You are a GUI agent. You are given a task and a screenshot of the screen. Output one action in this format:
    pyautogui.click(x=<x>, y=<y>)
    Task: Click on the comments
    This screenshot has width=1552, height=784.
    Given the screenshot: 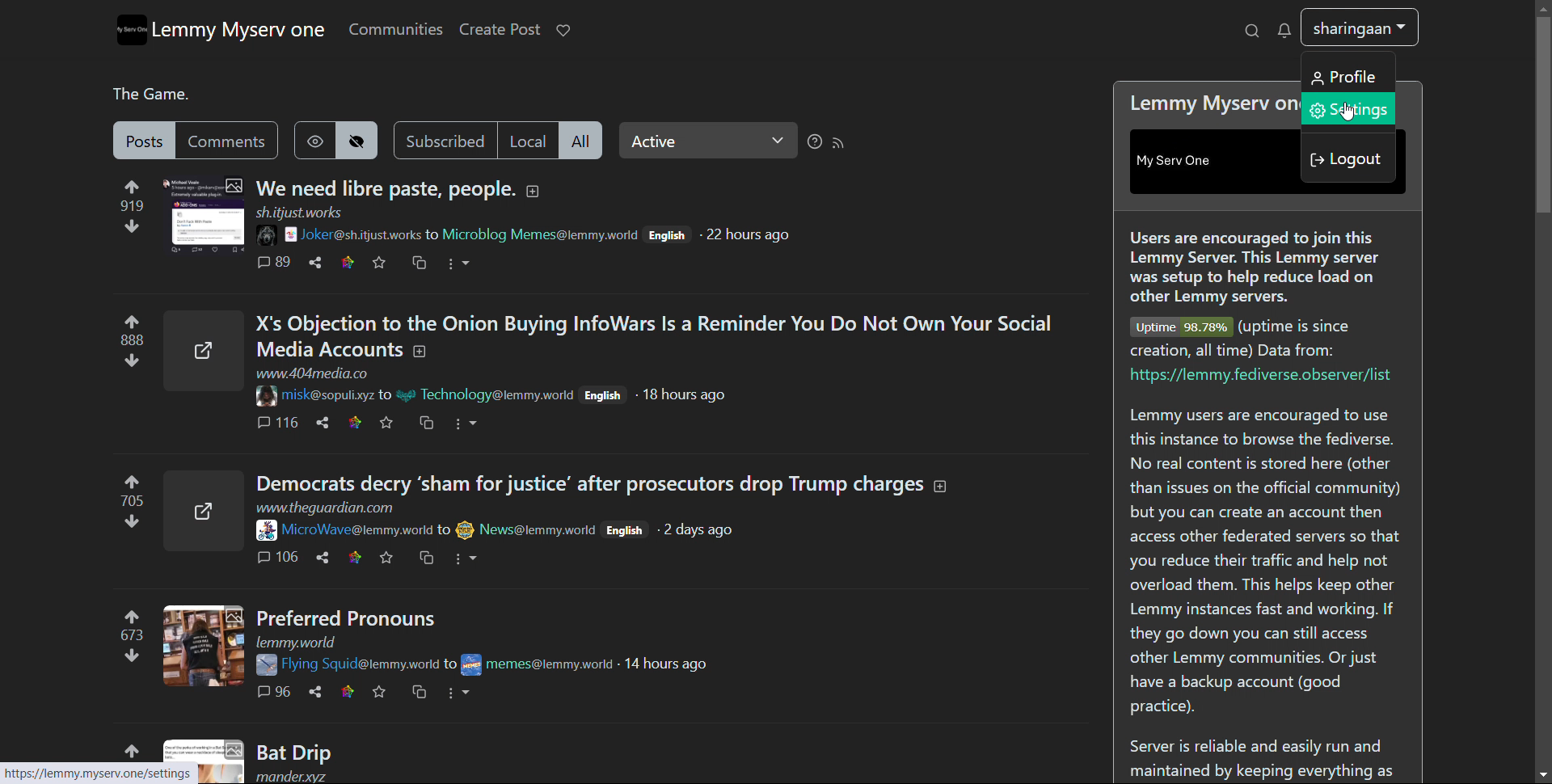 What is the action you would take?
    pyautogui.click(x=227, y=141)
    